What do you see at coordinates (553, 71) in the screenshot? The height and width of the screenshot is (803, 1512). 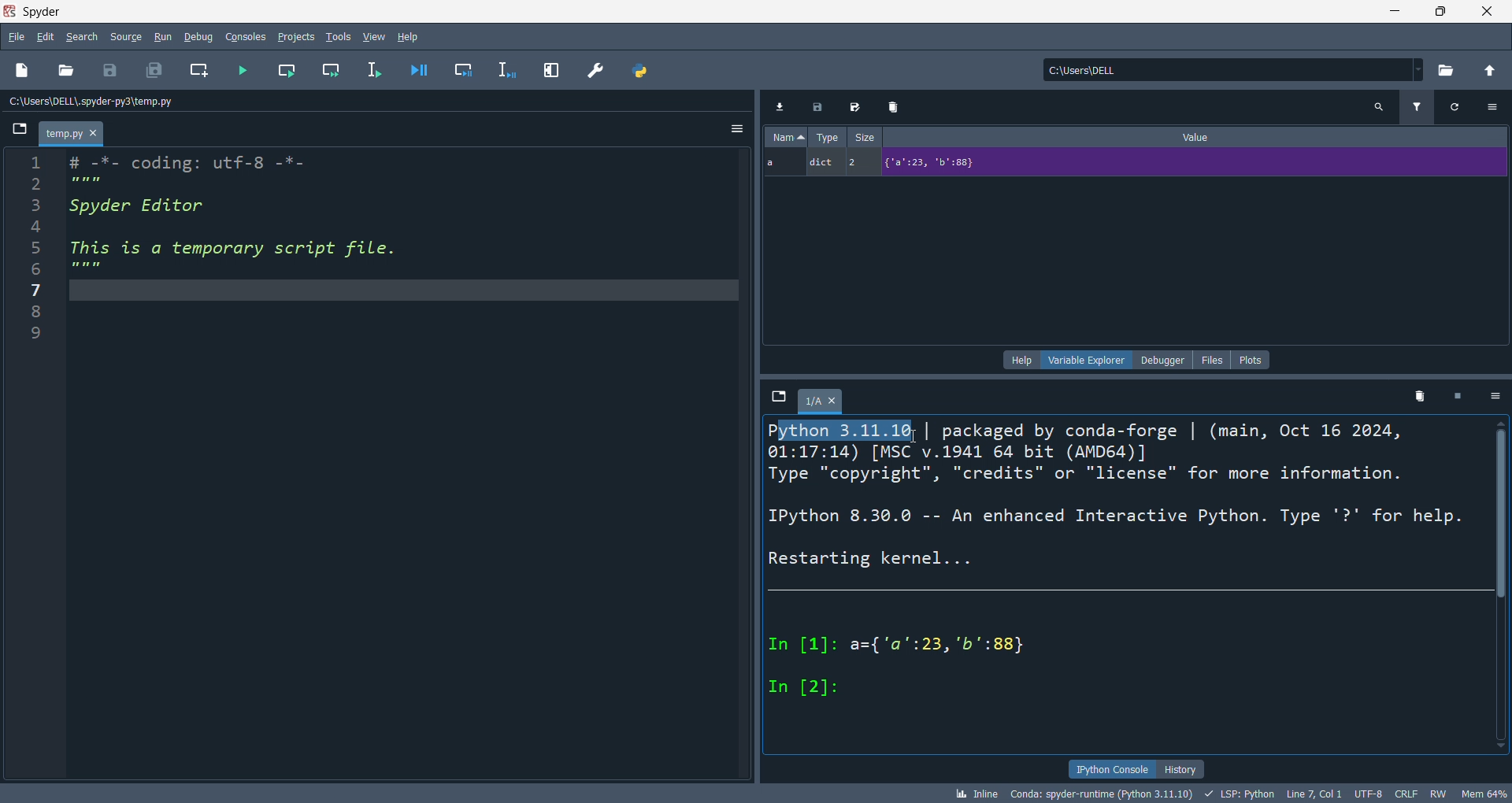 I see `expand pane` at bounding box center [553, 71].